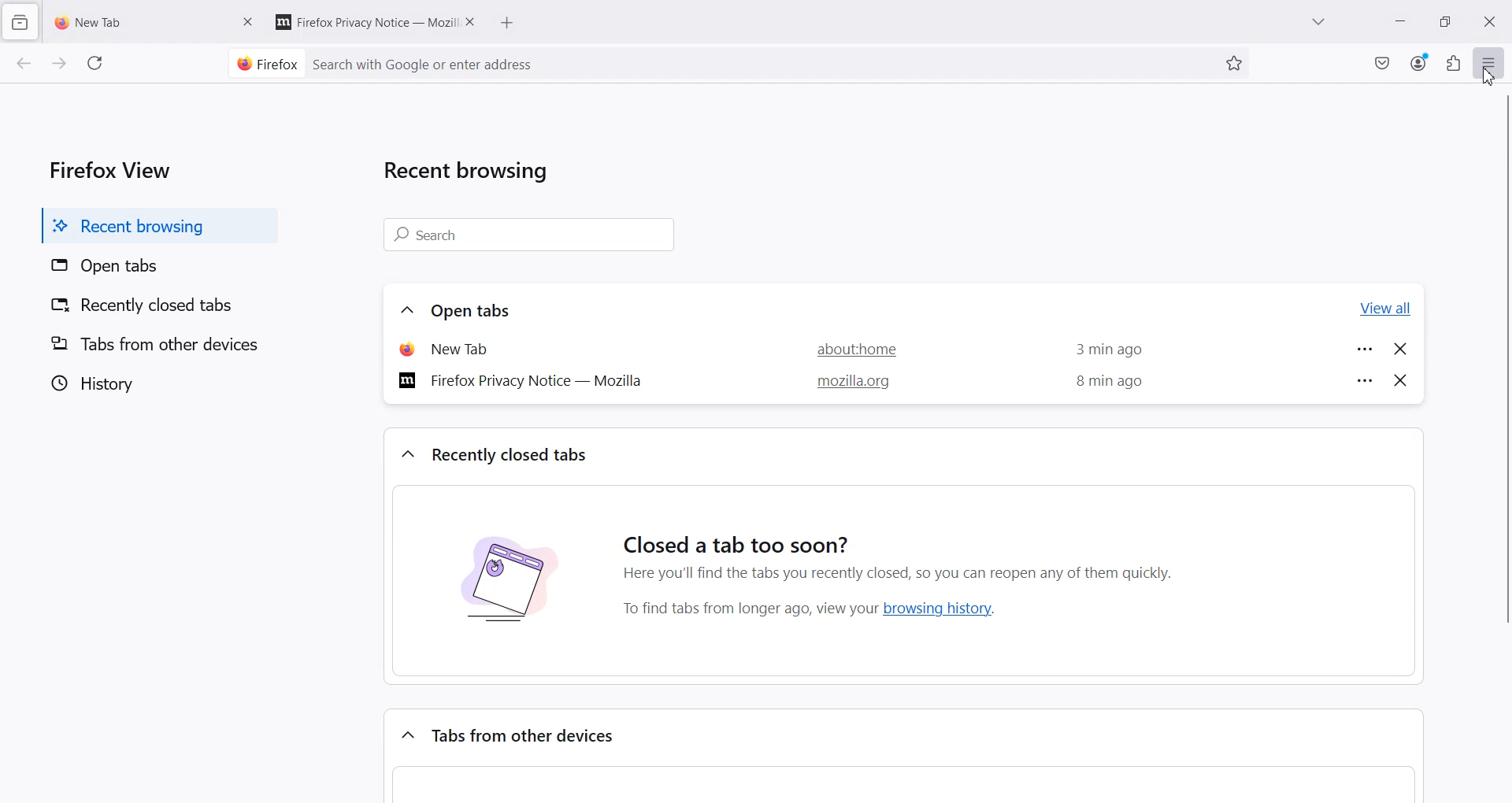 The height and width of the screenshot is (803, 1512). Describe the element at coordinates (133, 20) in the screenshot. I see `Current Tab` at that location.